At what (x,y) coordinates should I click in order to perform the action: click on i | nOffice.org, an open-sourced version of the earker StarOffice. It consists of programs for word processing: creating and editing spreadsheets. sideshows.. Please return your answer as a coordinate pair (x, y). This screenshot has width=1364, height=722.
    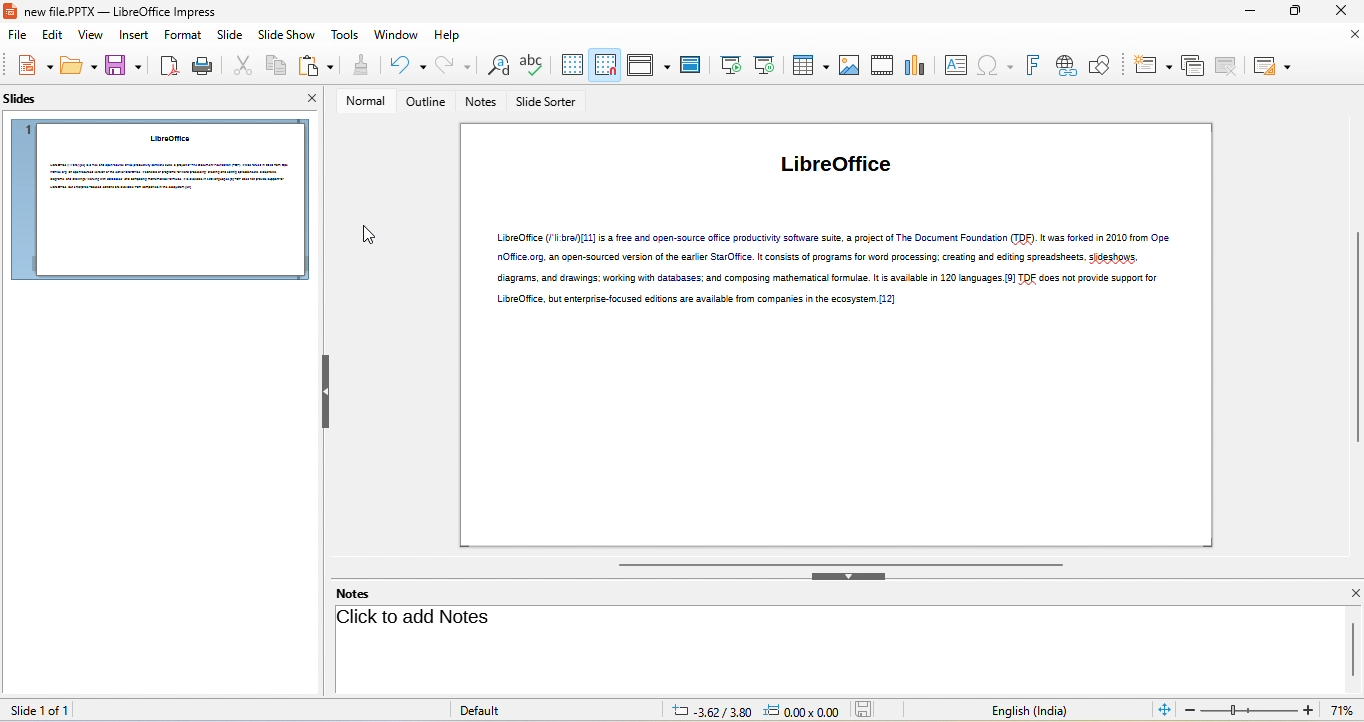
    Looking at the image, I should click on (830, 257).